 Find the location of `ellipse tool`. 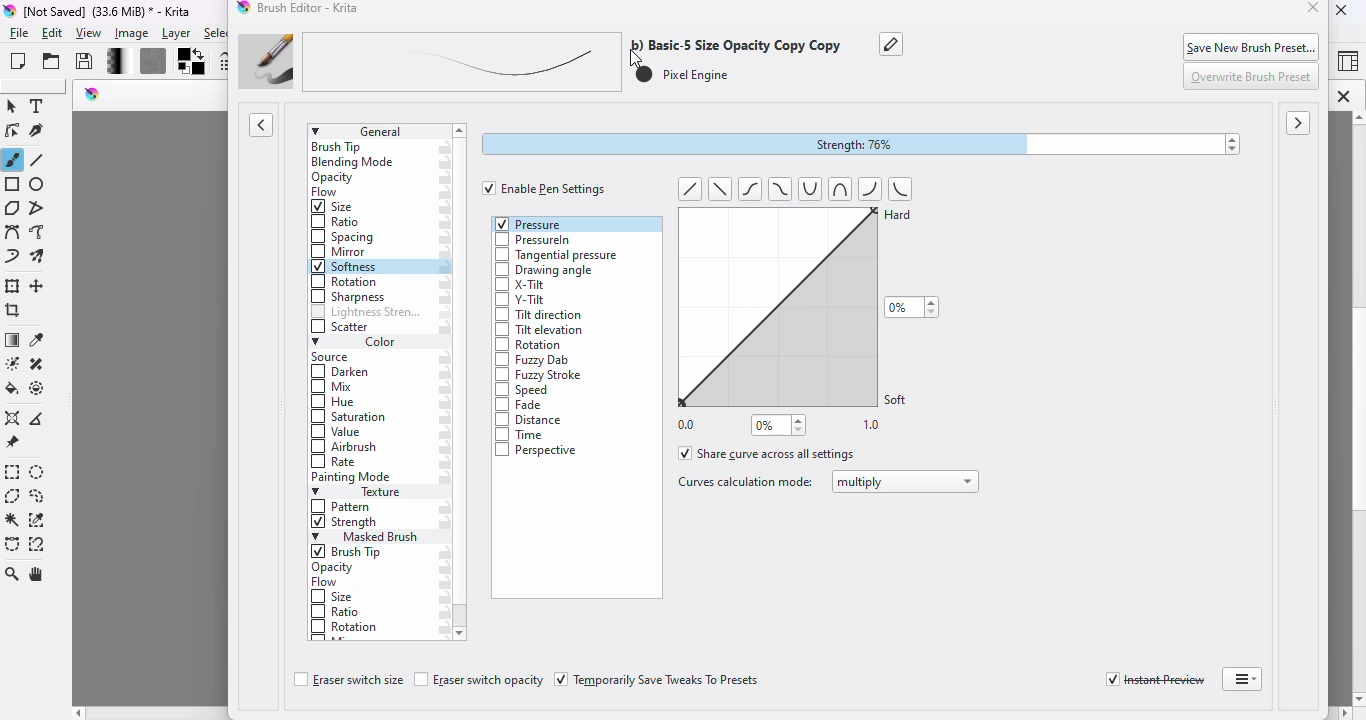

ellipse tool is located at coordinates (38, 185).